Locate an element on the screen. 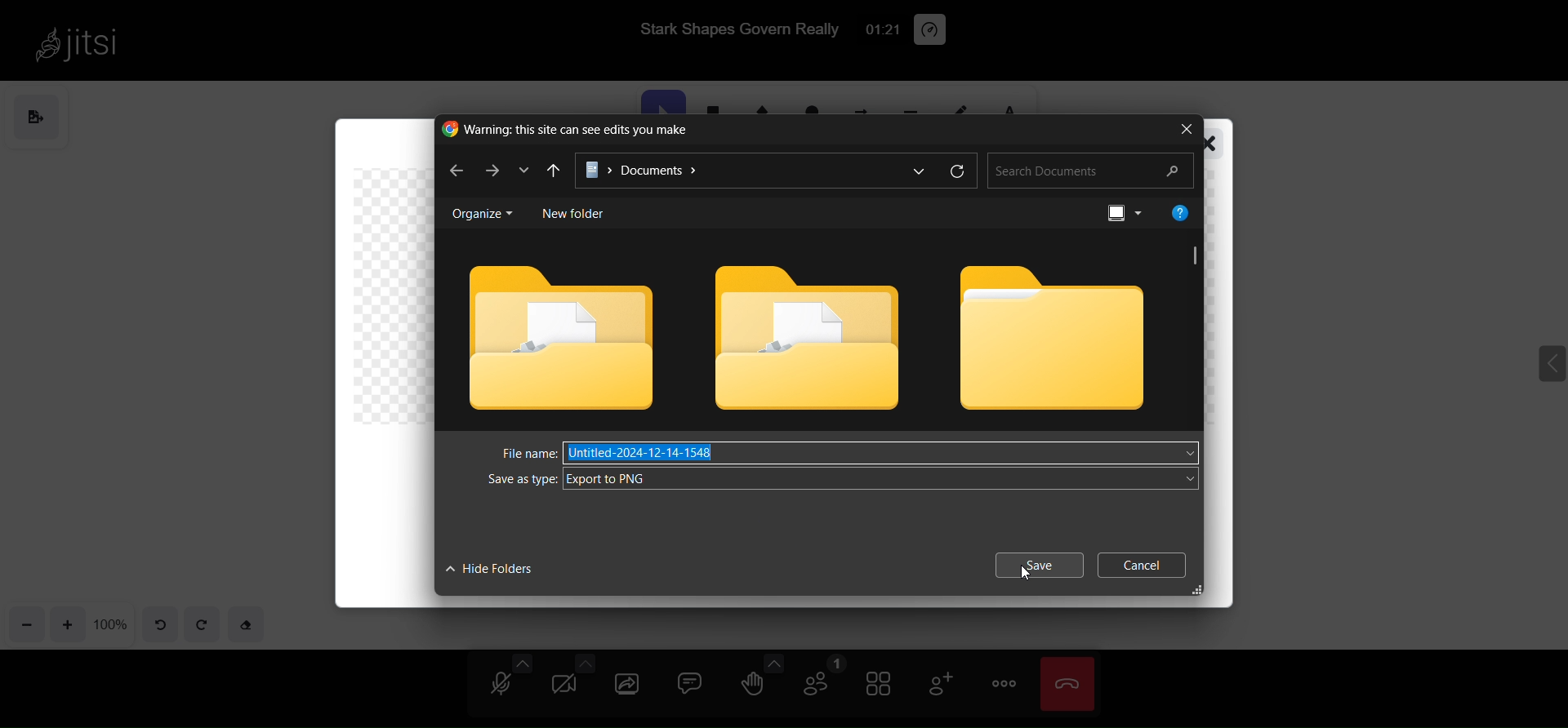 This screenshot has height=728, width=1568. help is located at coordinates (1186, 208).